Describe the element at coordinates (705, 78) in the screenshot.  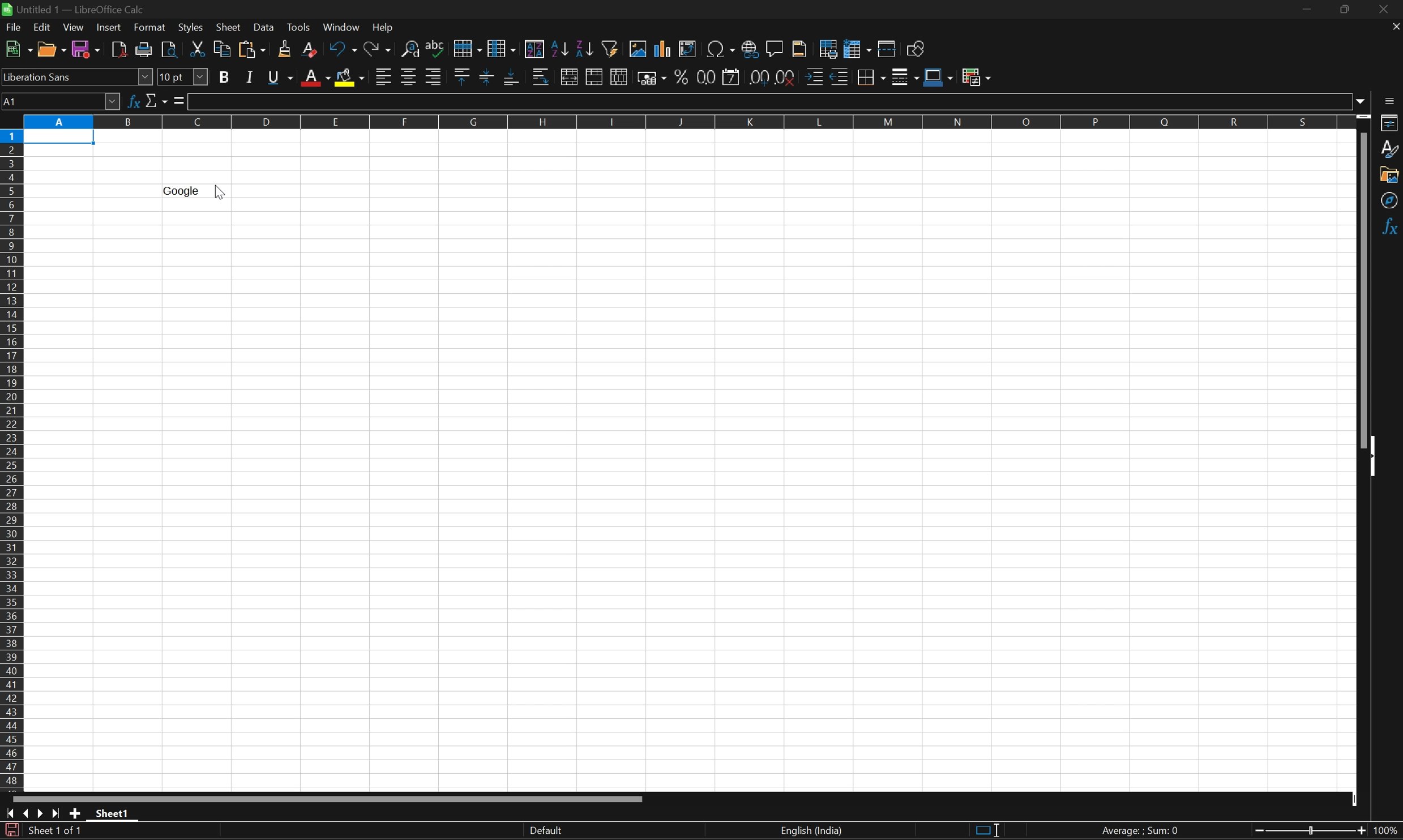
I see `Format as number` at that location.